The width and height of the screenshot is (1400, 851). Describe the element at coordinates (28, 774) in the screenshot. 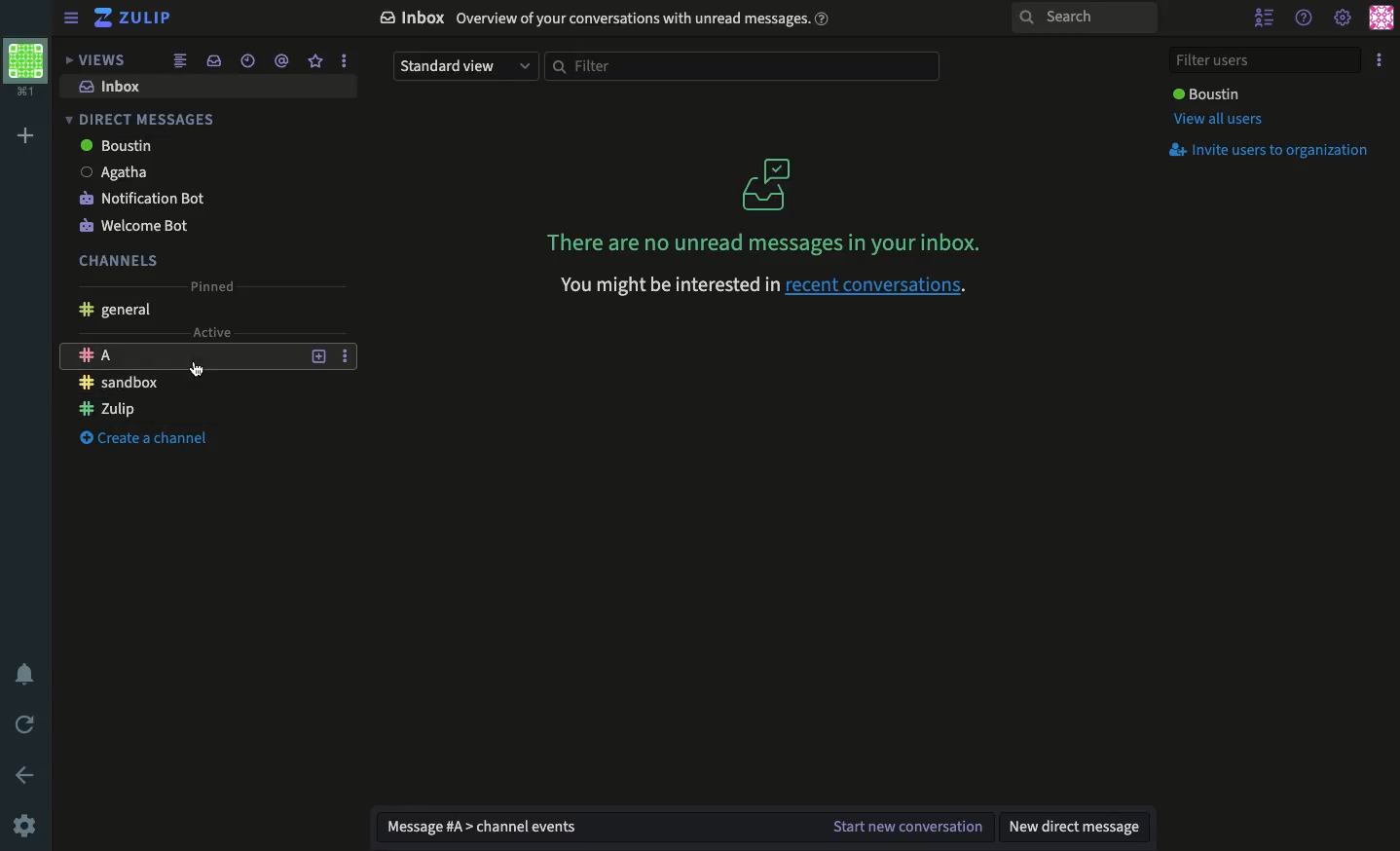

I see `Back` at that location.